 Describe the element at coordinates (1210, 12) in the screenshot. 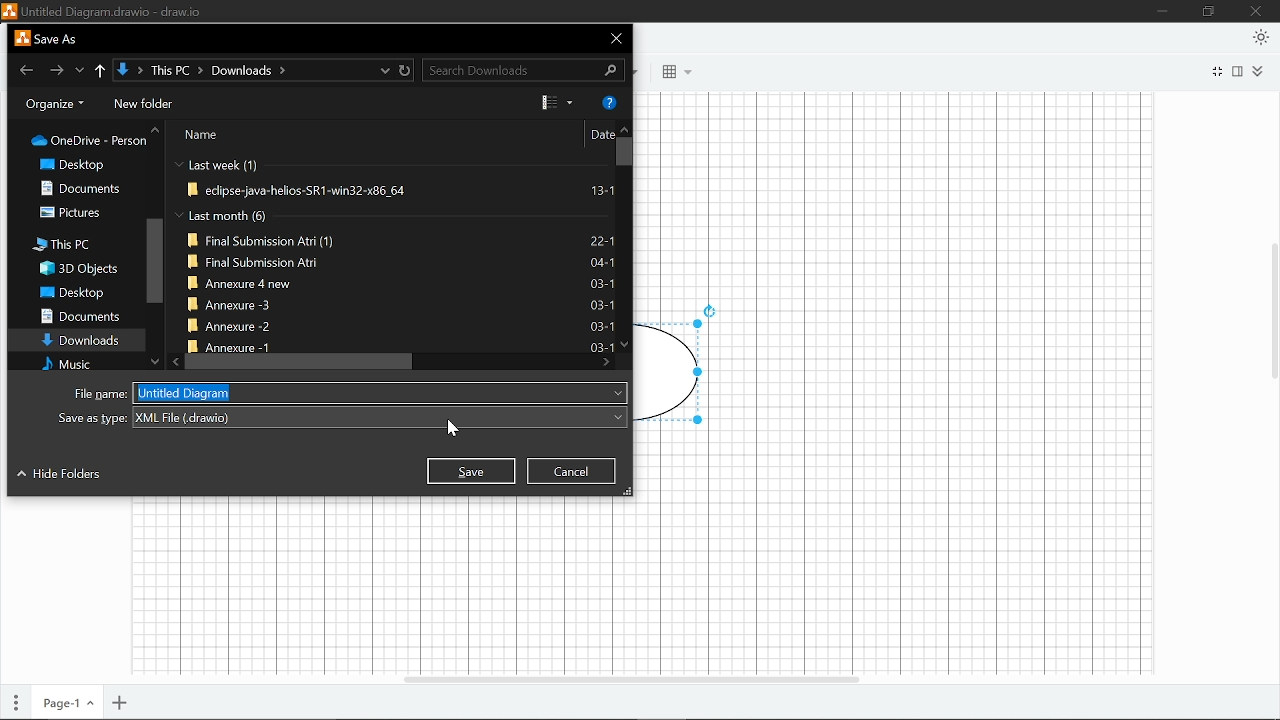

I see `restore down` at that location.